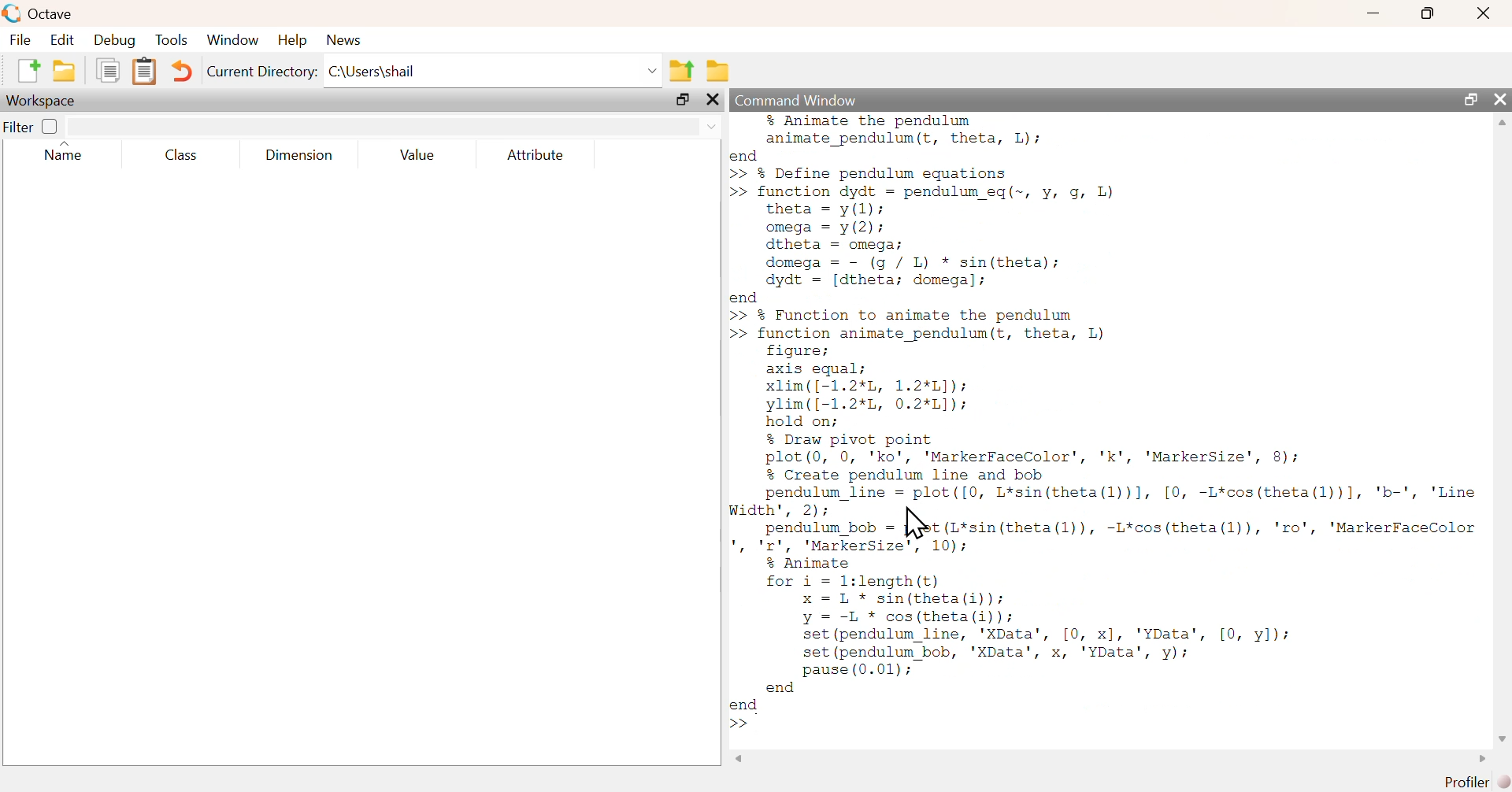  Describe the element at coordinates (1500, 99) in the screenshot. I see `Close` at that location.